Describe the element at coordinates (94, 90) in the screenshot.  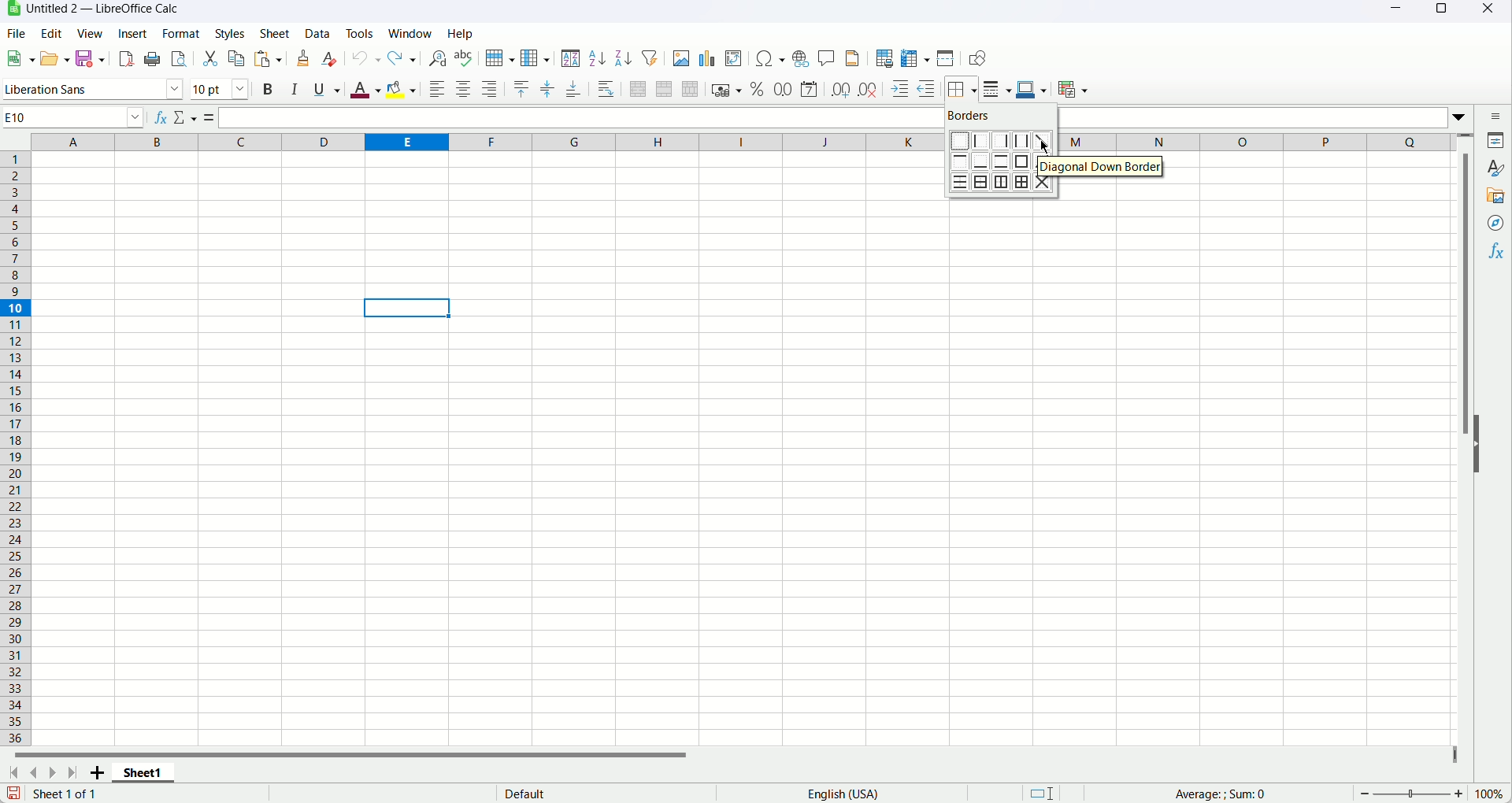
I see `Font name` at that location.